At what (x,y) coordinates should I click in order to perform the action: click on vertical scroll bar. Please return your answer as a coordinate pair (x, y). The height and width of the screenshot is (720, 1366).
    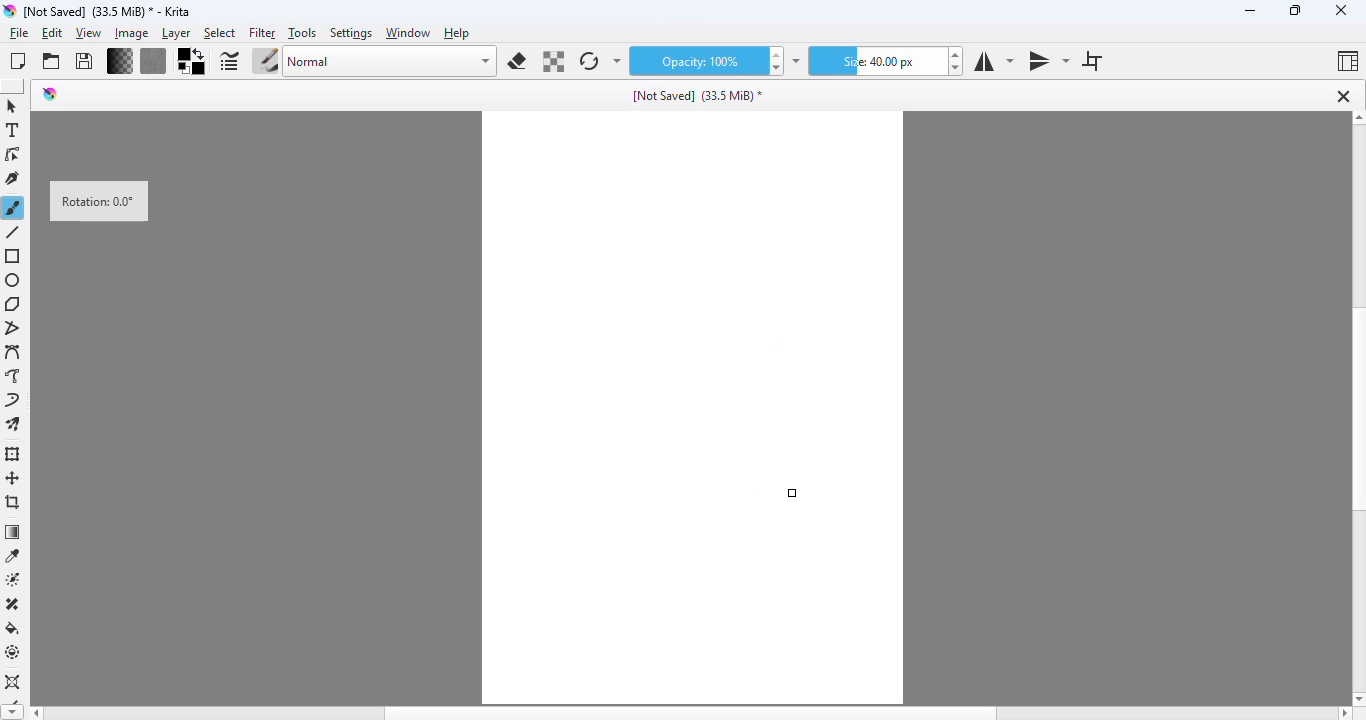
    Looking at the image, I should click on (1357, 411).